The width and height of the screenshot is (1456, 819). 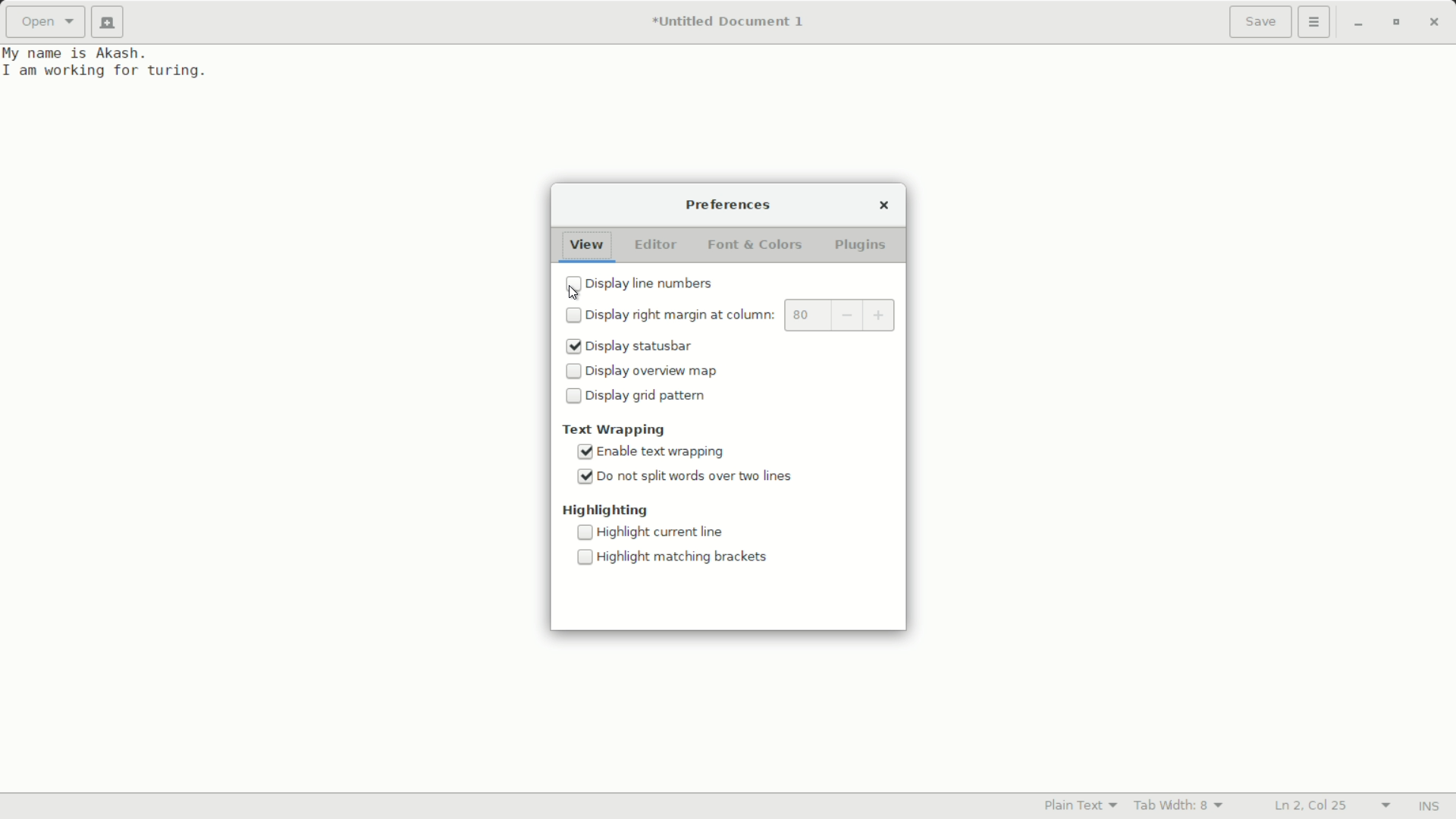 What do you see at coordinates (861, 246) in the screenshot?
I see `plugins` at bounding box center [861, 246].